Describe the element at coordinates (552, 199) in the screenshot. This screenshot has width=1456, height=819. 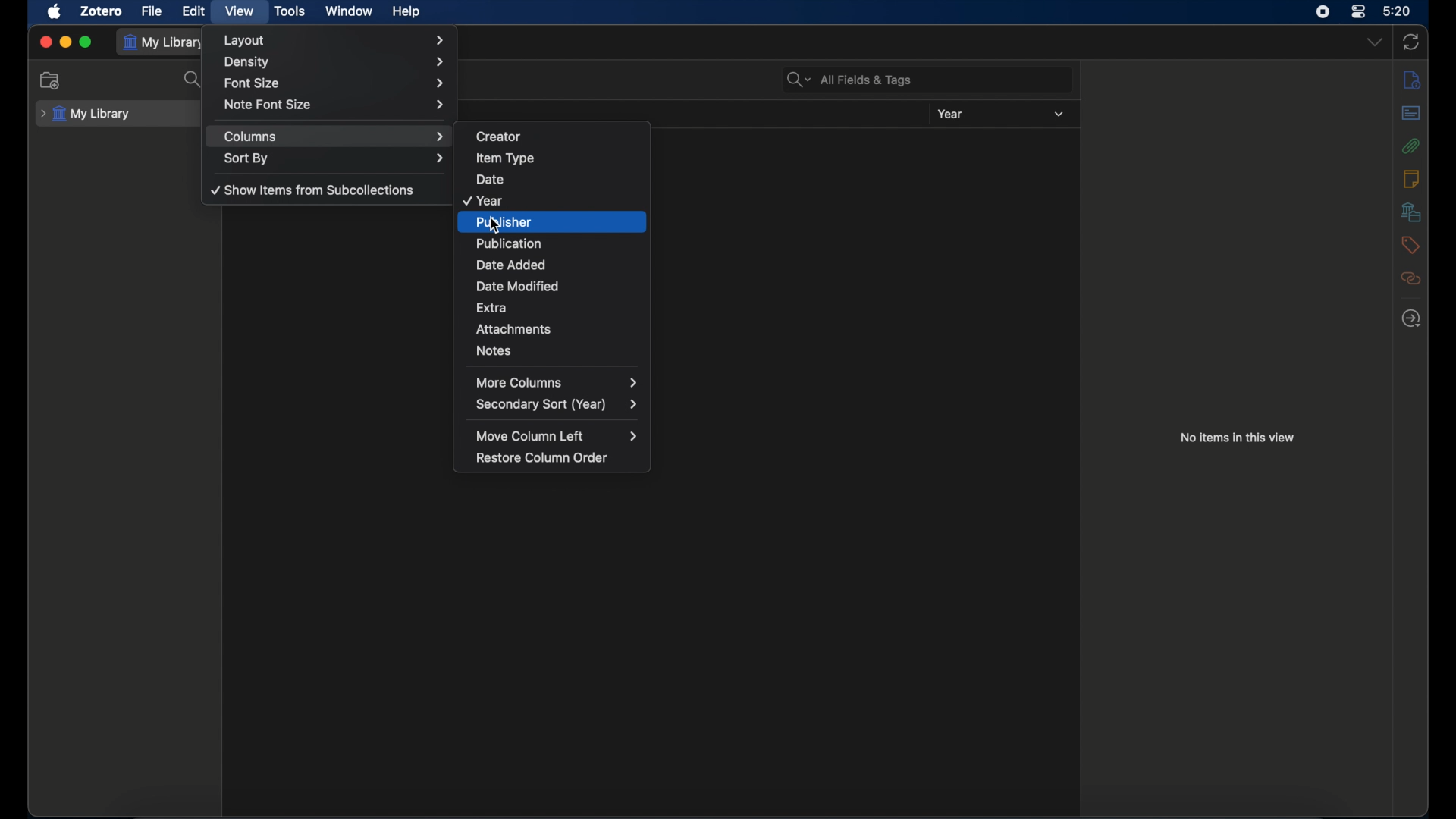
I see `year` at that location.